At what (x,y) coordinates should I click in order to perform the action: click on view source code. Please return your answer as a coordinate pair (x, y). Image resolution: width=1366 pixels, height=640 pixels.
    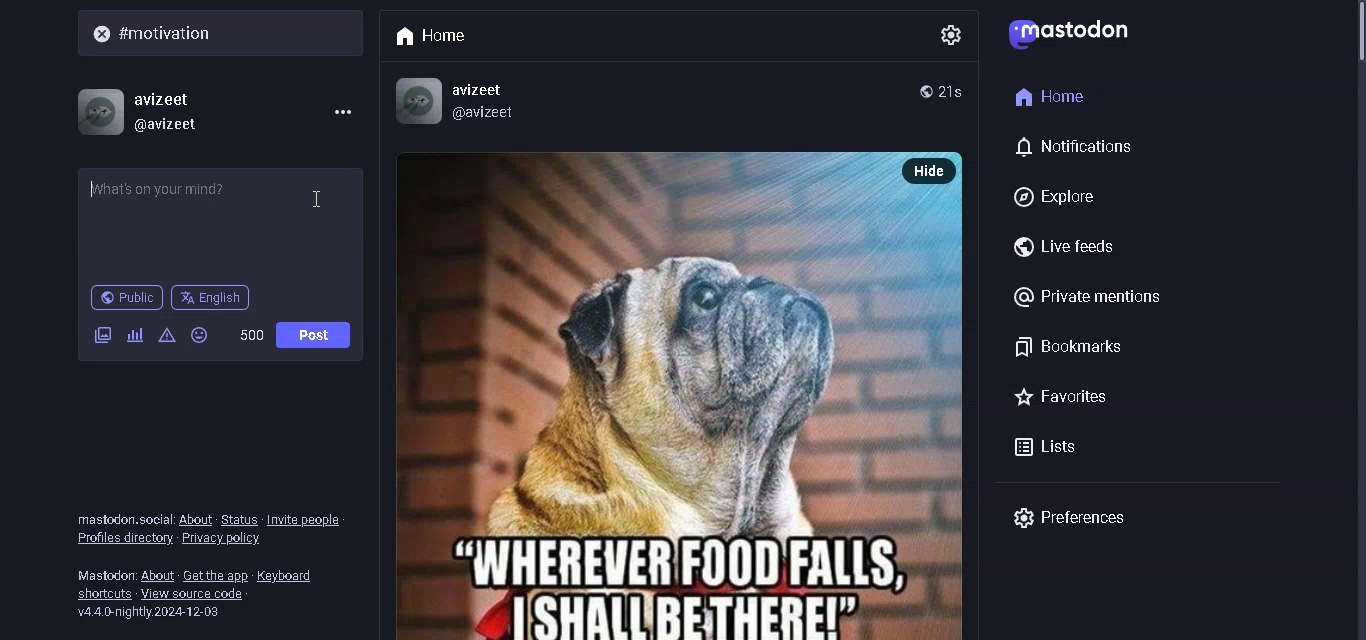
    Looking at the image, I should click on (197, 594).